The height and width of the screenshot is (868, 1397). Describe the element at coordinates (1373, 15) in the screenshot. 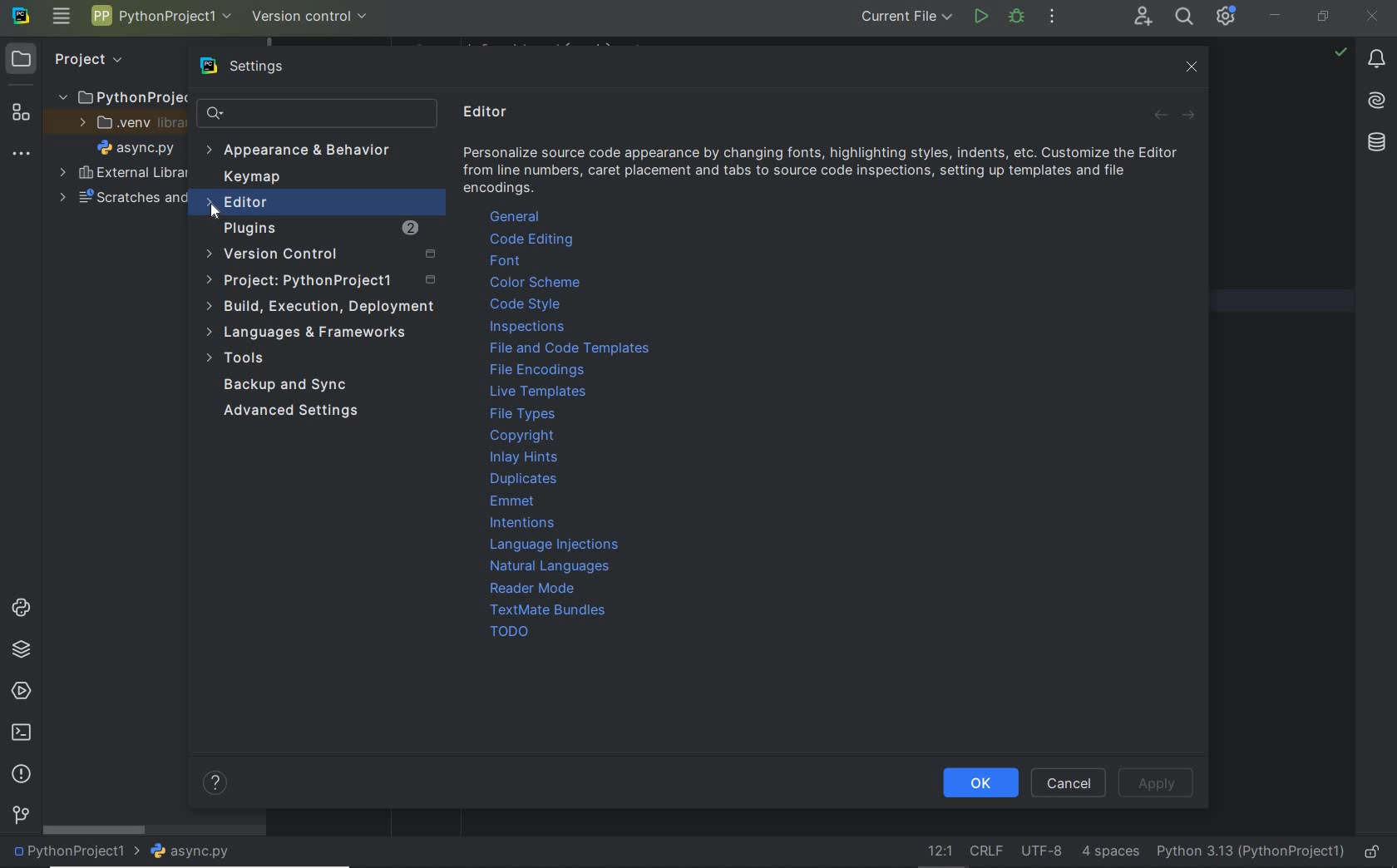

I see `CLOSE` at that location.